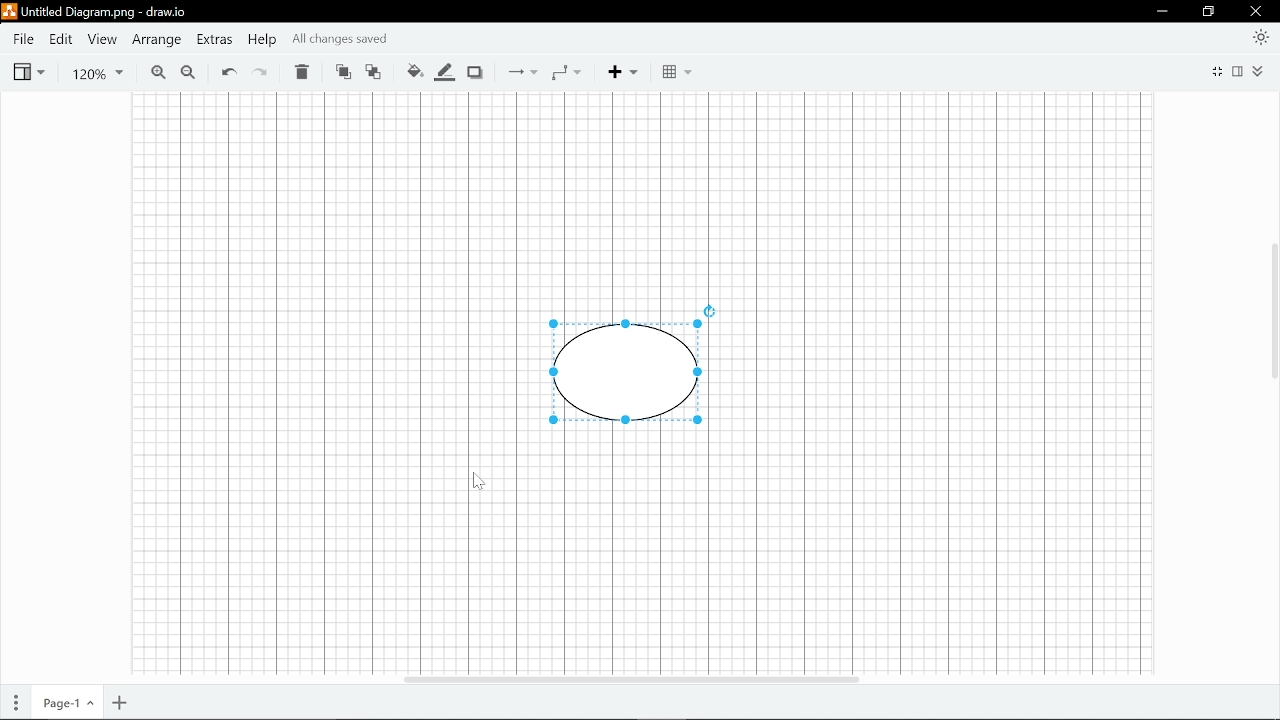 This screenshot has width=1280, height=720. Describe the element at coordinates (121, 701) in the screenshot. I see `Add page` at that location.